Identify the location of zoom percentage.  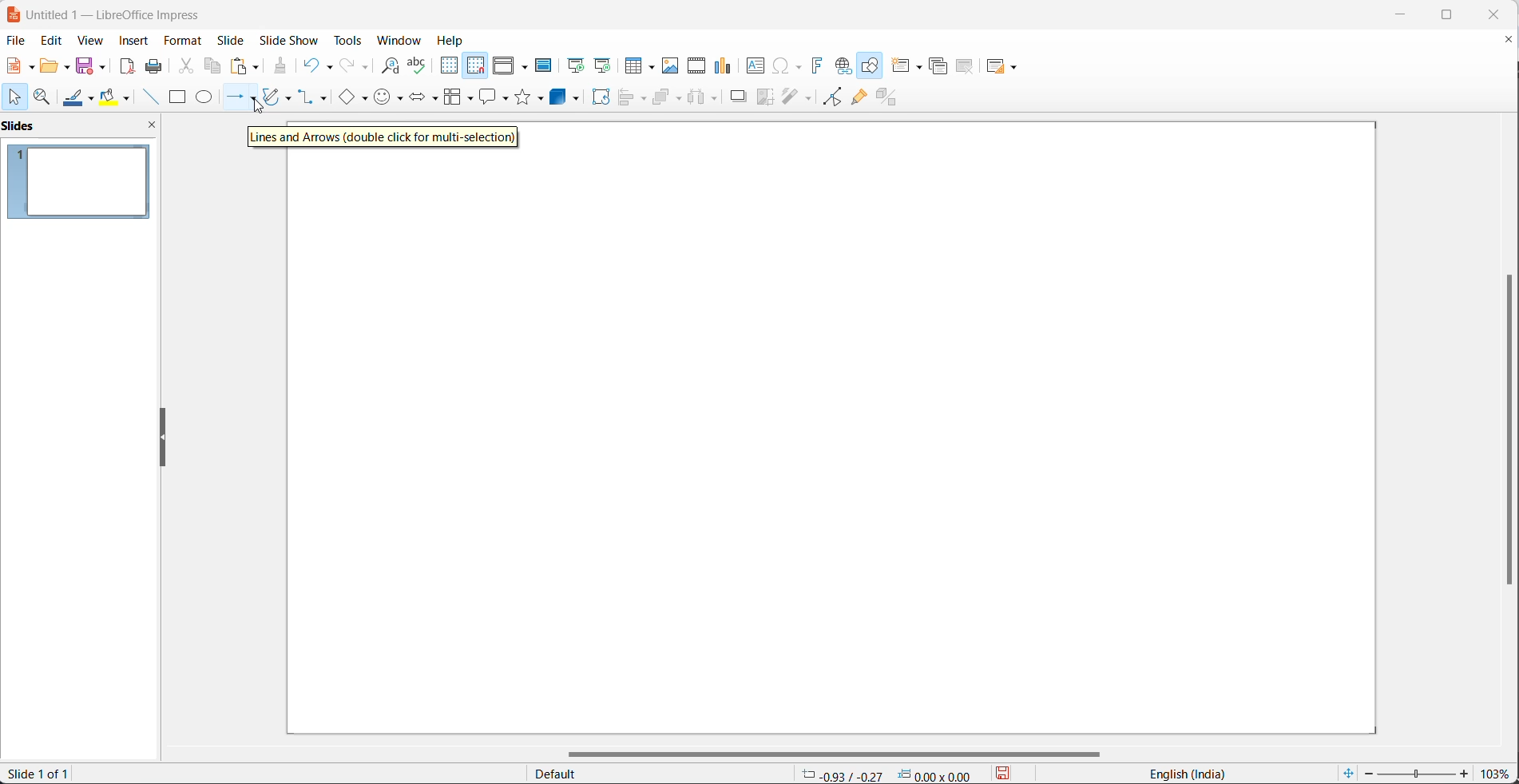
(1499, 771).